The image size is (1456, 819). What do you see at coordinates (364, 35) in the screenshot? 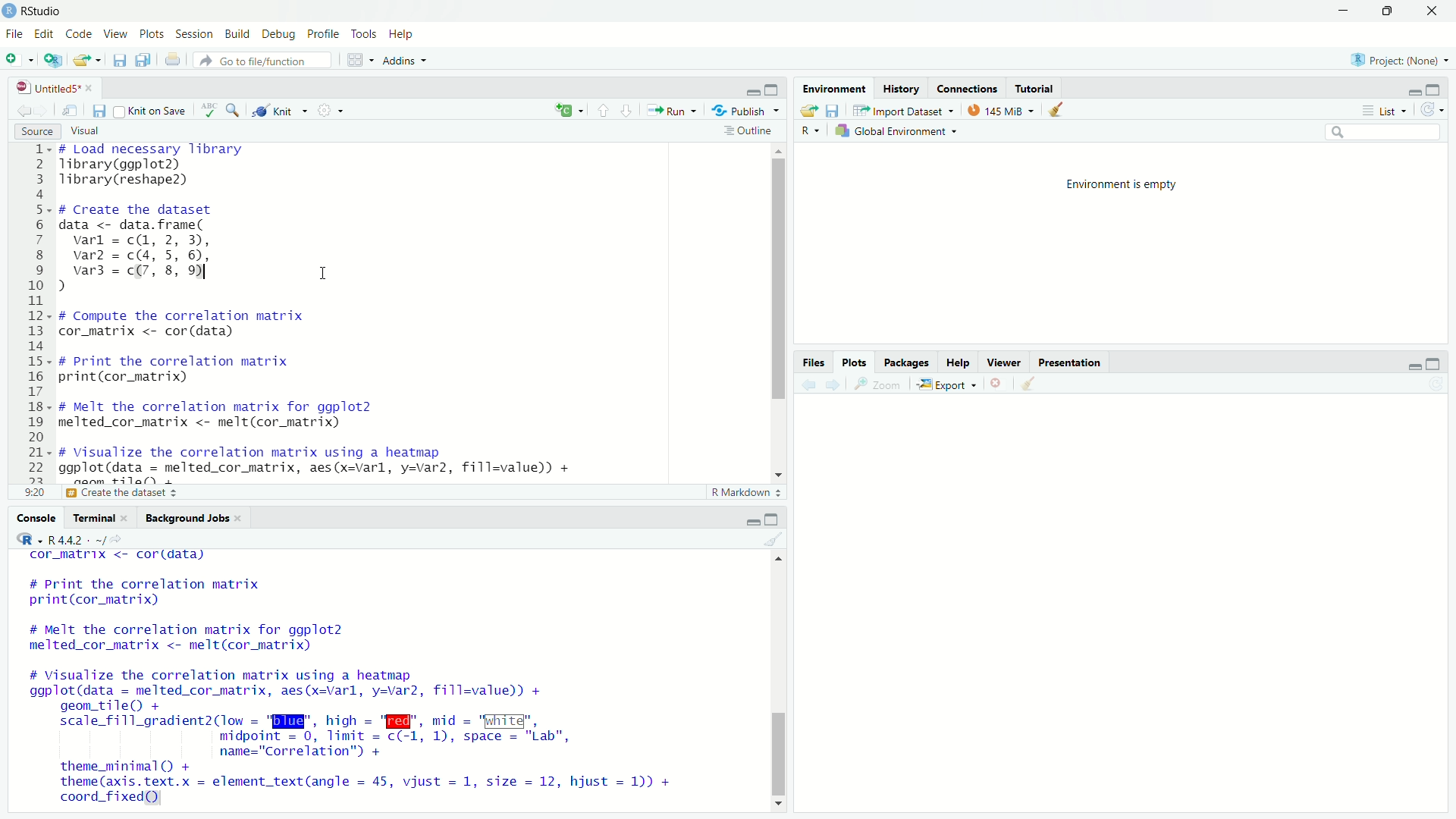
I see `tools` at bounding box center [364, 35].